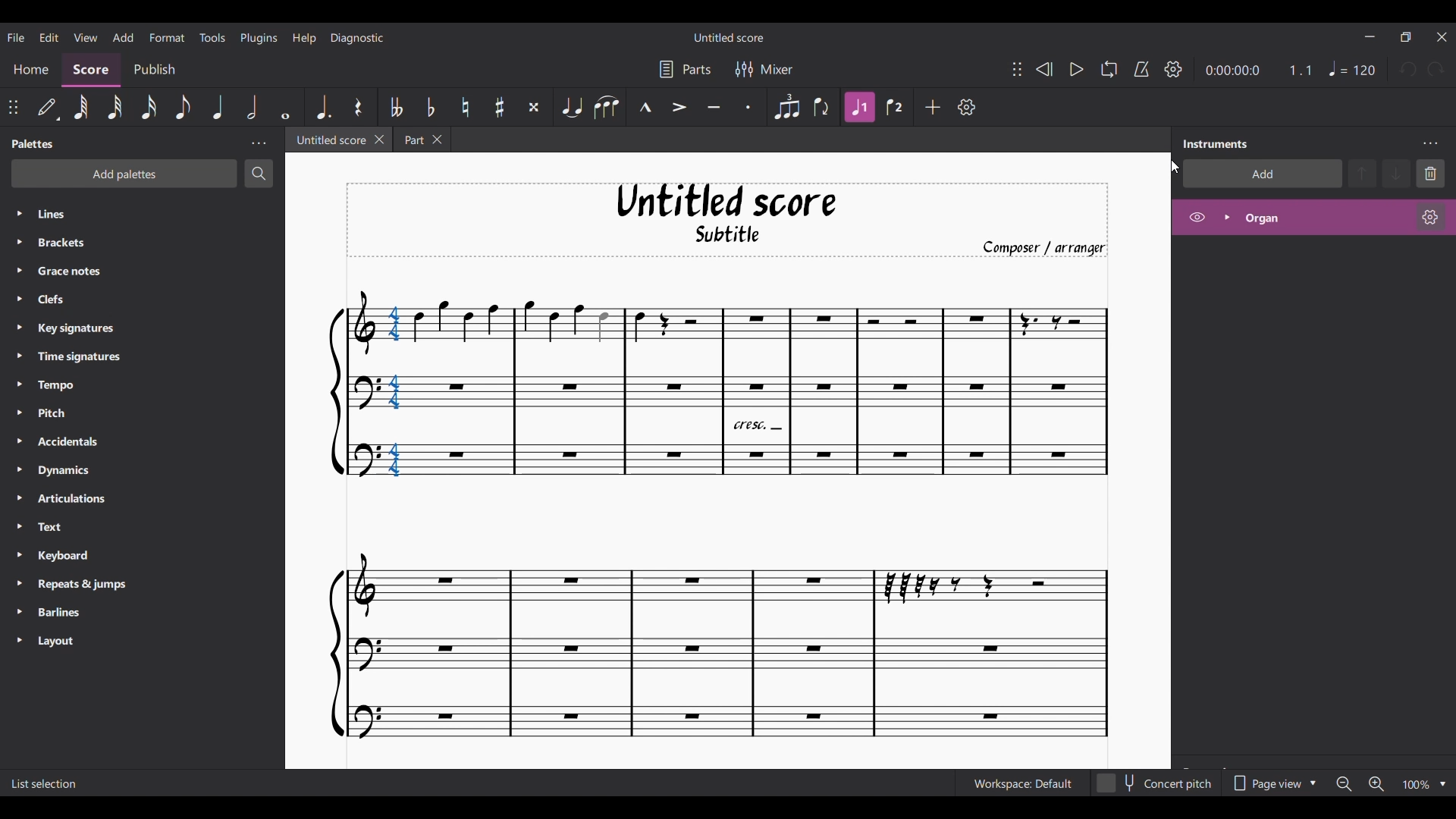  I want to click on View menu, so click(85, 36).